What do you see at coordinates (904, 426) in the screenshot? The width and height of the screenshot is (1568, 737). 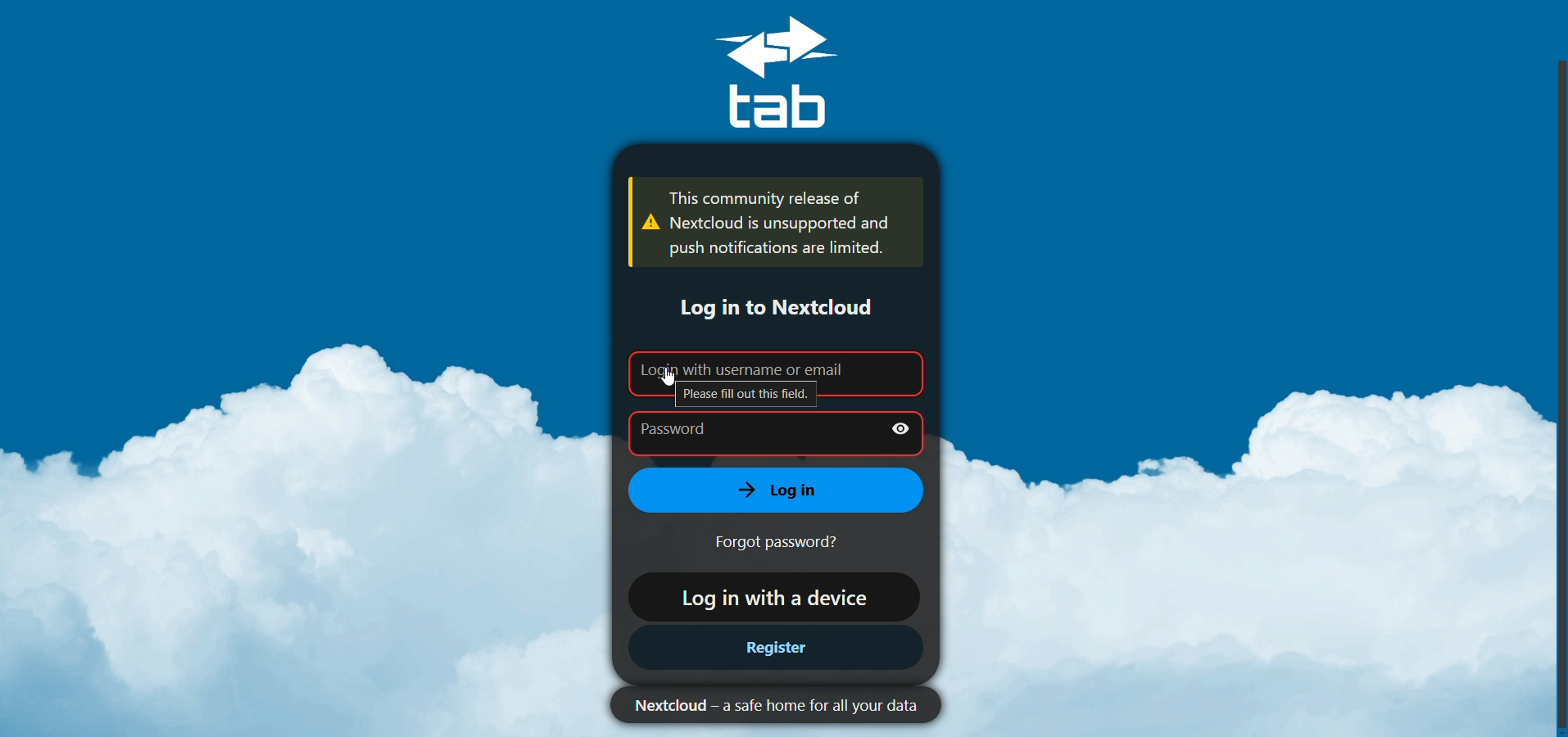 I see `Show Password` at bounding box center [904, 426].